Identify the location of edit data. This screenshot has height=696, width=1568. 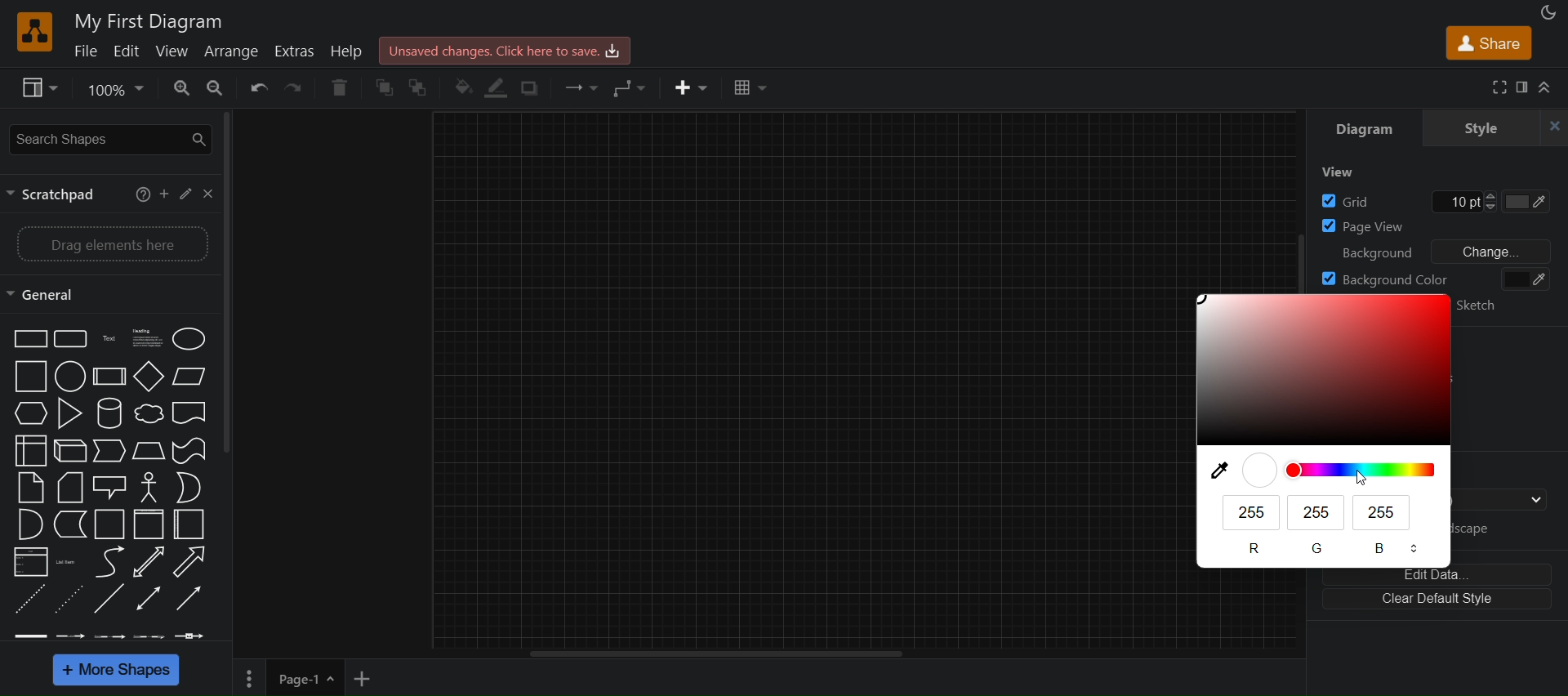
(1443, 578).